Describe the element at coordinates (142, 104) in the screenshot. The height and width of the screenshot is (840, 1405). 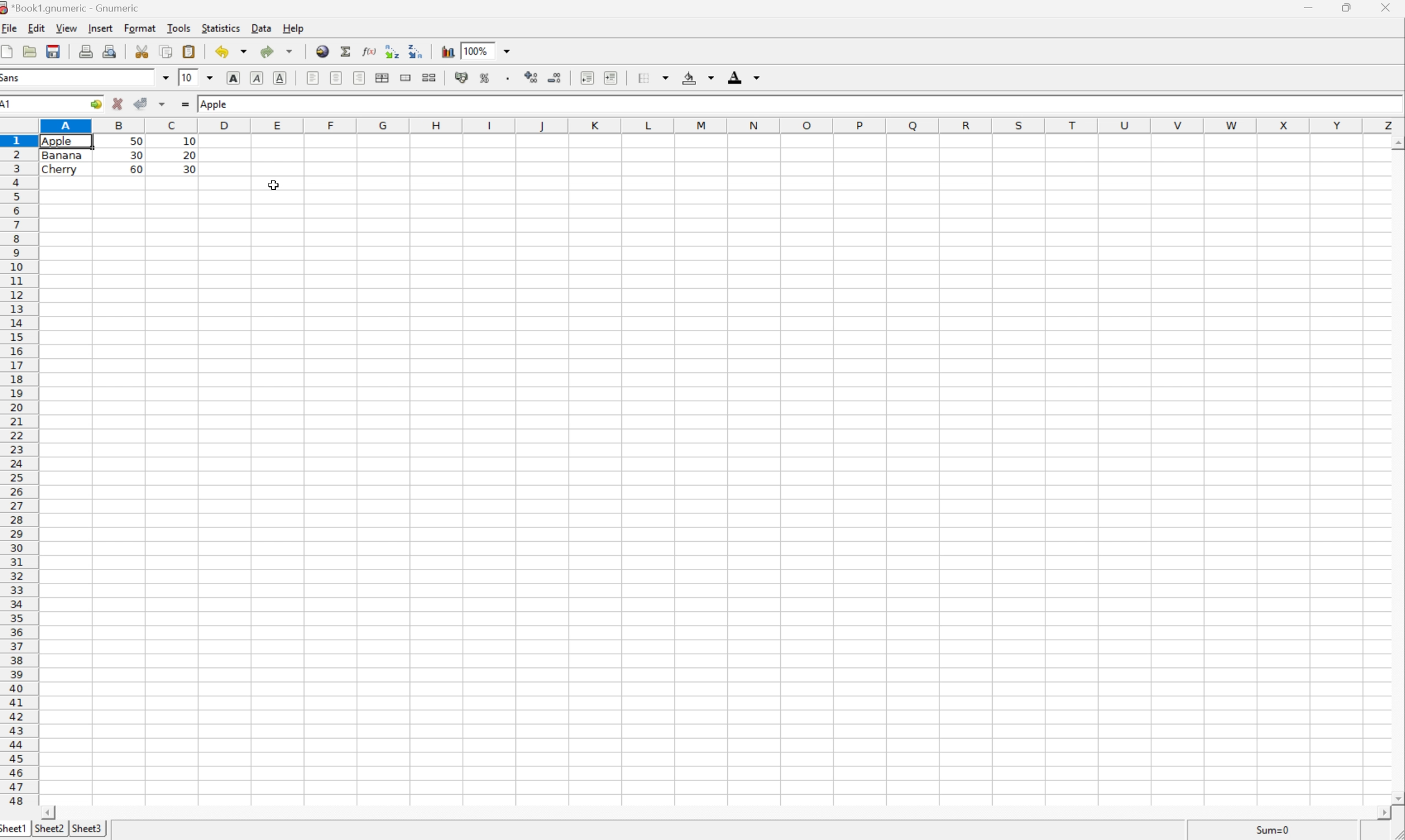
I see `accept changes` at that location.